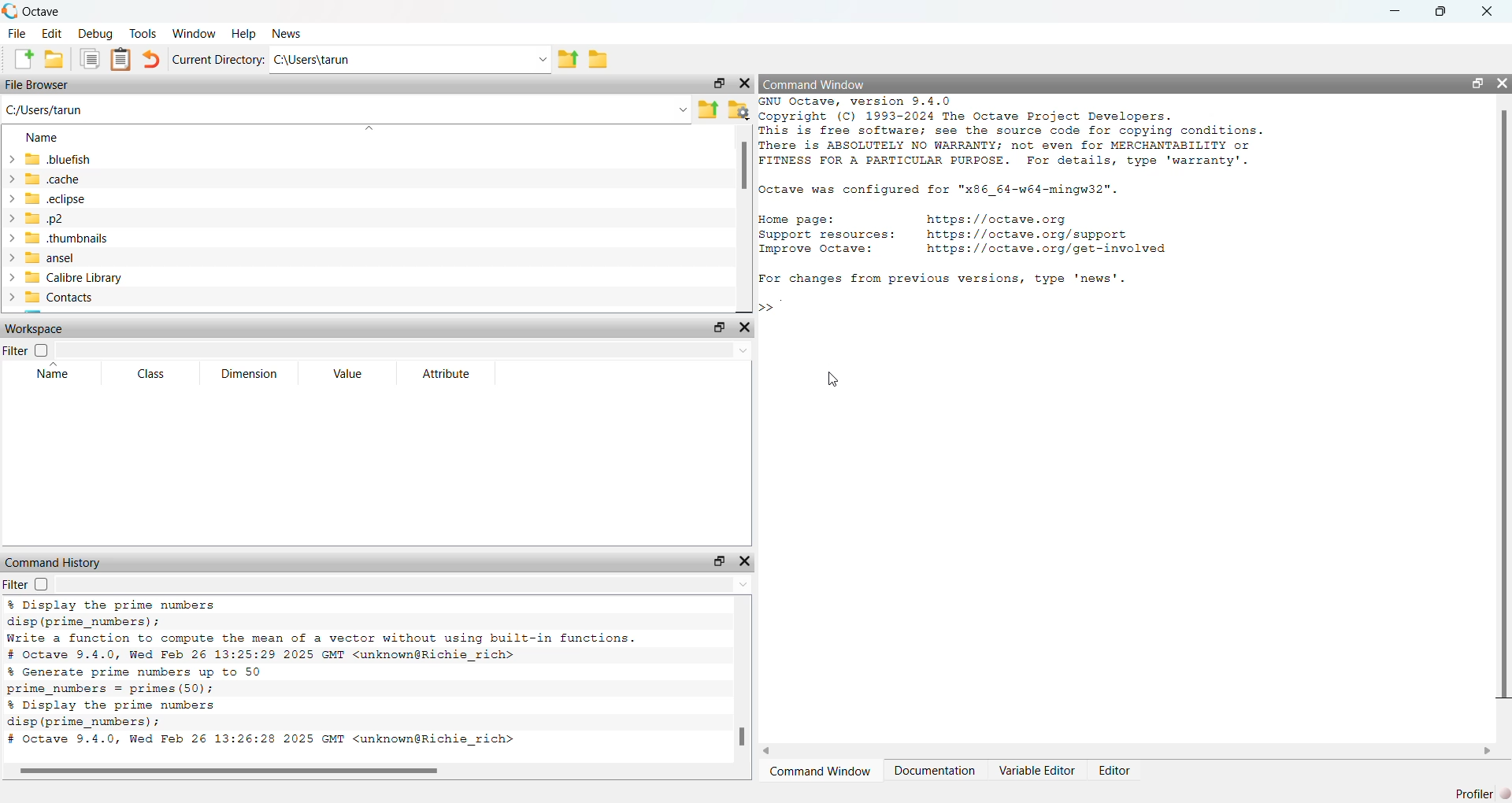 The height and width of the screenshot is (803, 1512). What do you see at coordinates (44, 12) in the screenshot?
I see `octave` at bounding box center [44, 12].